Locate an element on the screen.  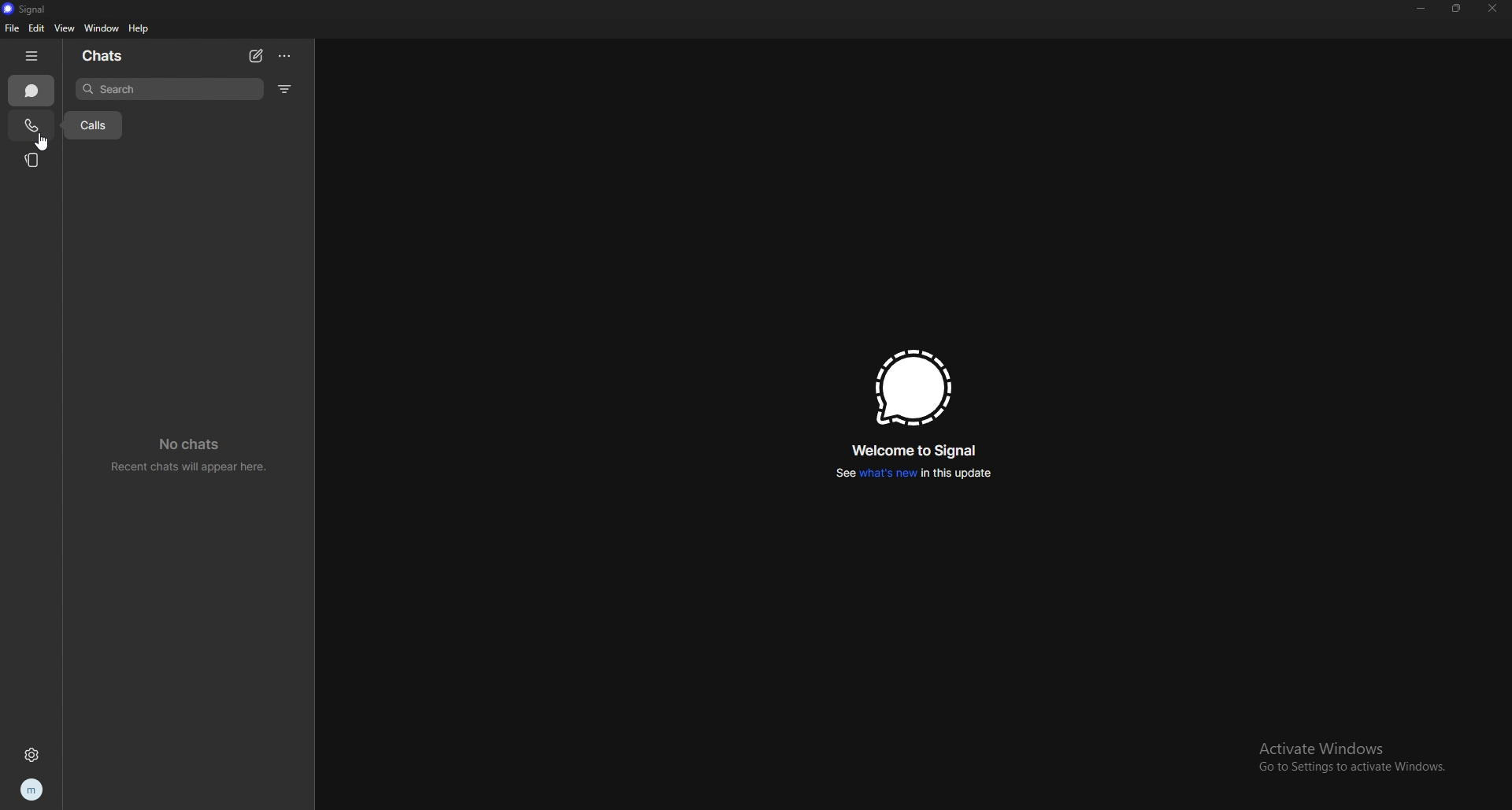
no chats recent chats will appear here is located at coordinates (190, 455).